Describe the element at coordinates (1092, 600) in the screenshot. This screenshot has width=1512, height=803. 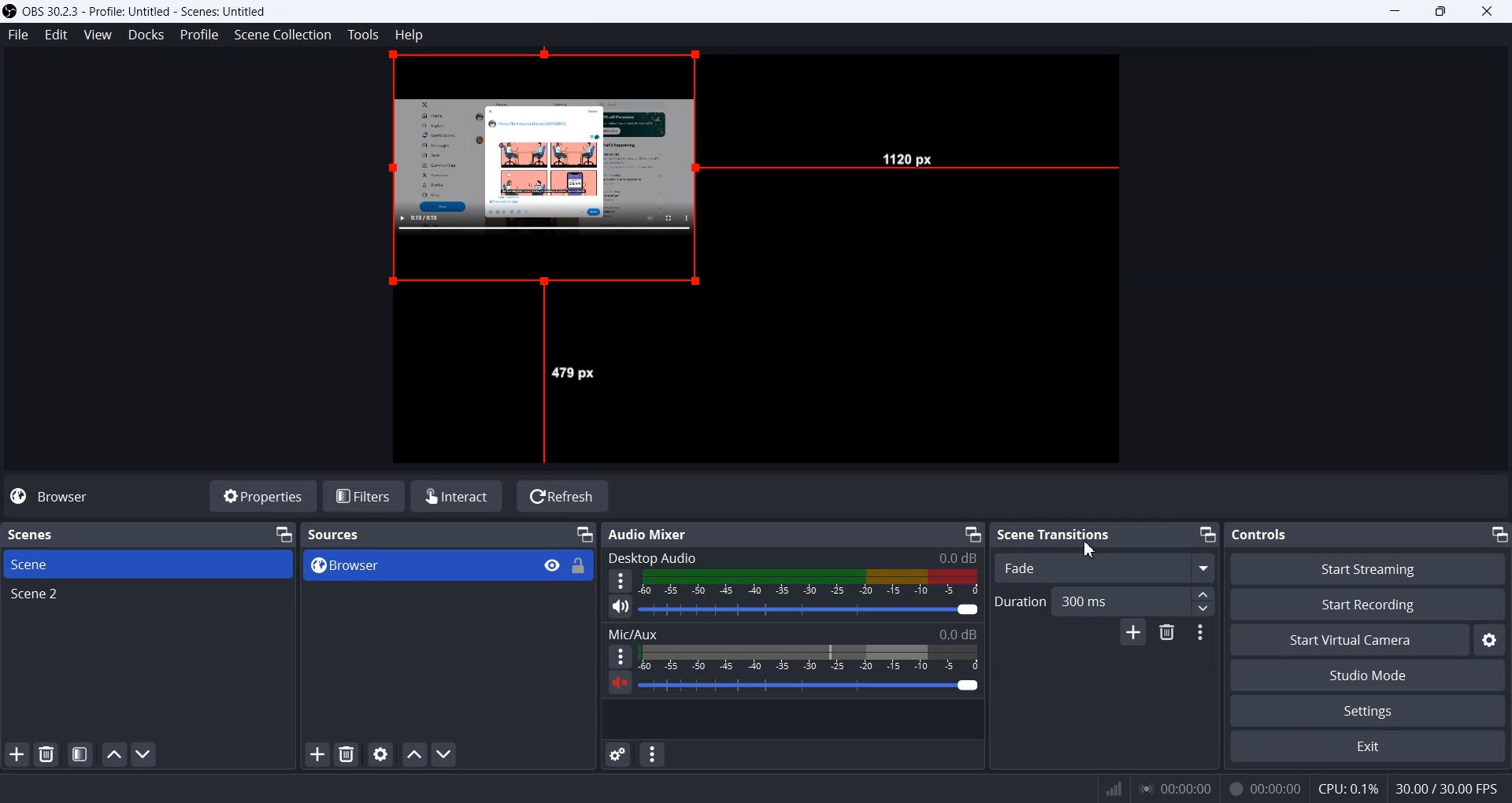
I see `Duration` at that location.